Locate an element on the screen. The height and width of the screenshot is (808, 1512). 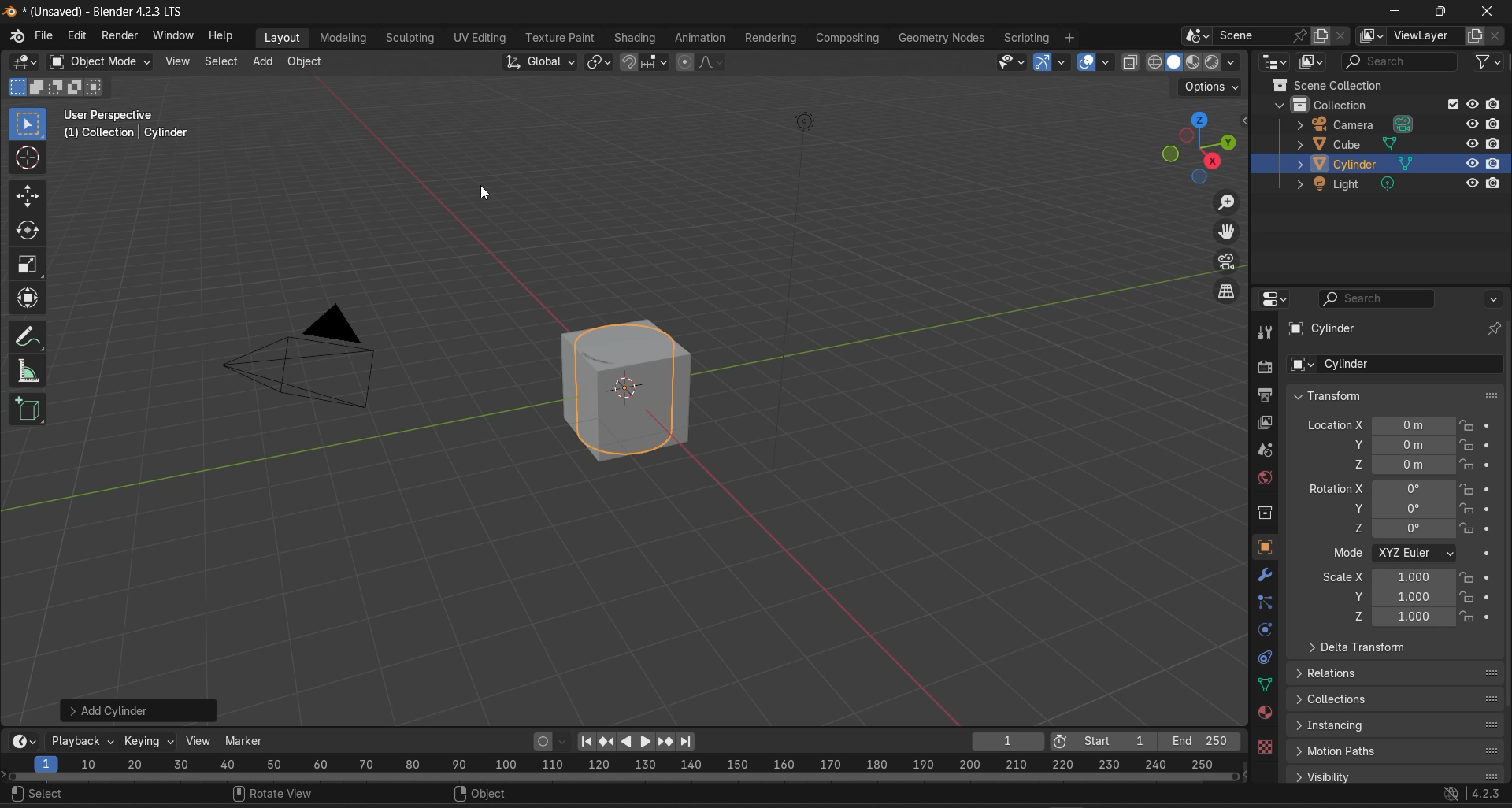
lock rotation is located at coordinates (1469, 489).